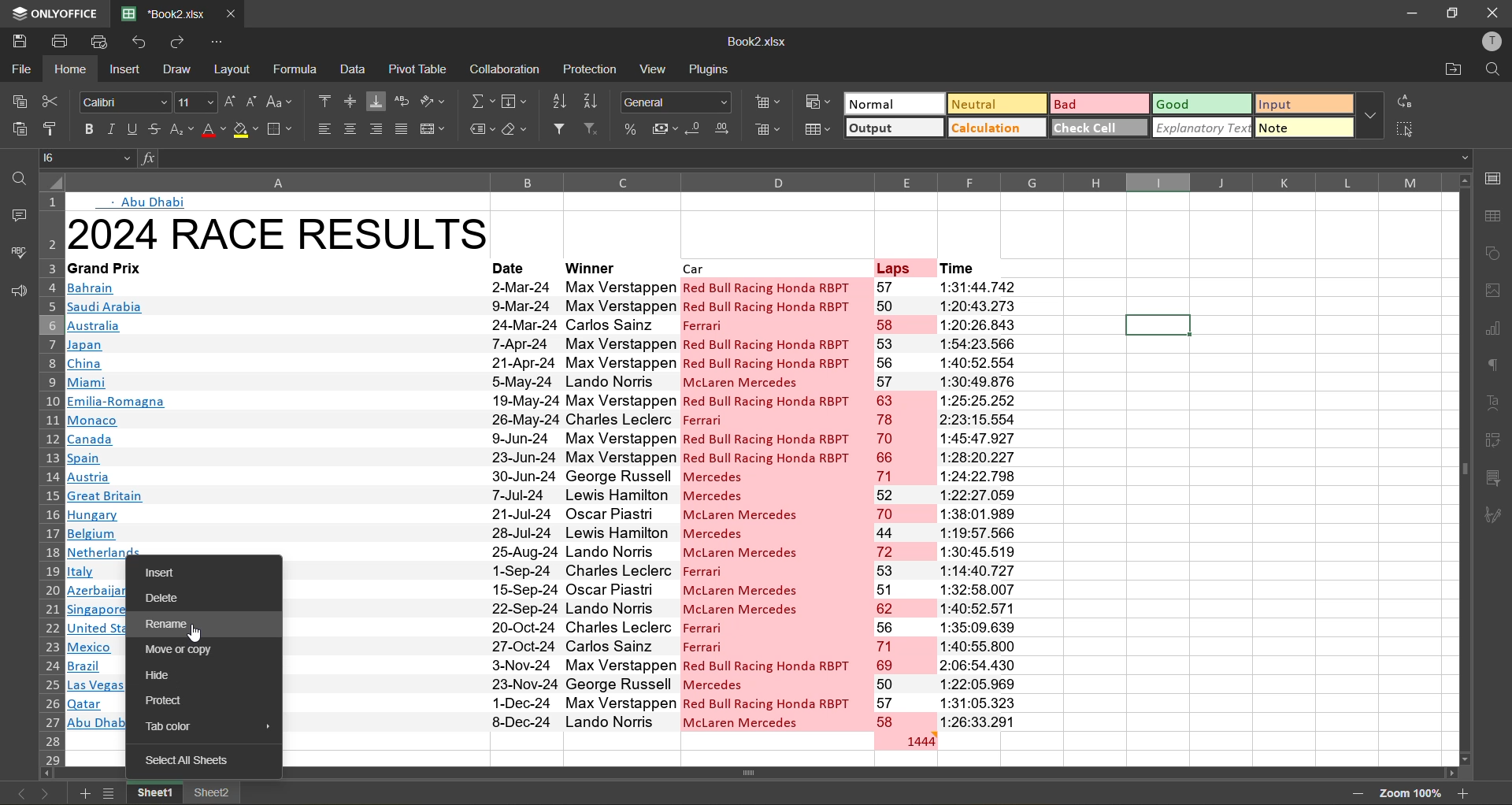 This screenshot has height=805, width=1512. Describe the element at coordinates (890, 128) in the screenshot. I see `output` at that location.